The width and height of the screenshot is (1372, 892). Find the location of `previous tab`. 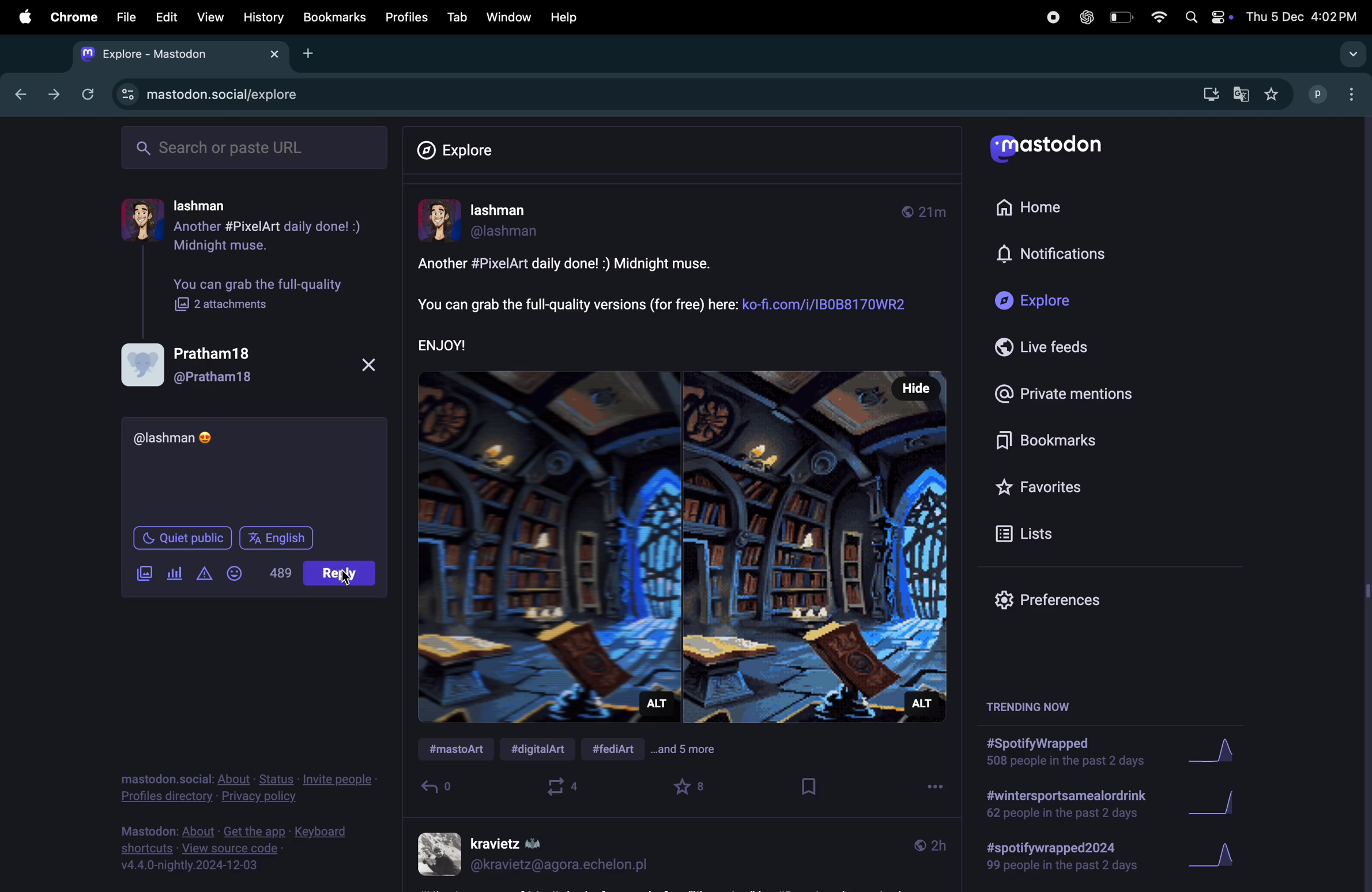

previous tab is located at coordinates (17, 96).